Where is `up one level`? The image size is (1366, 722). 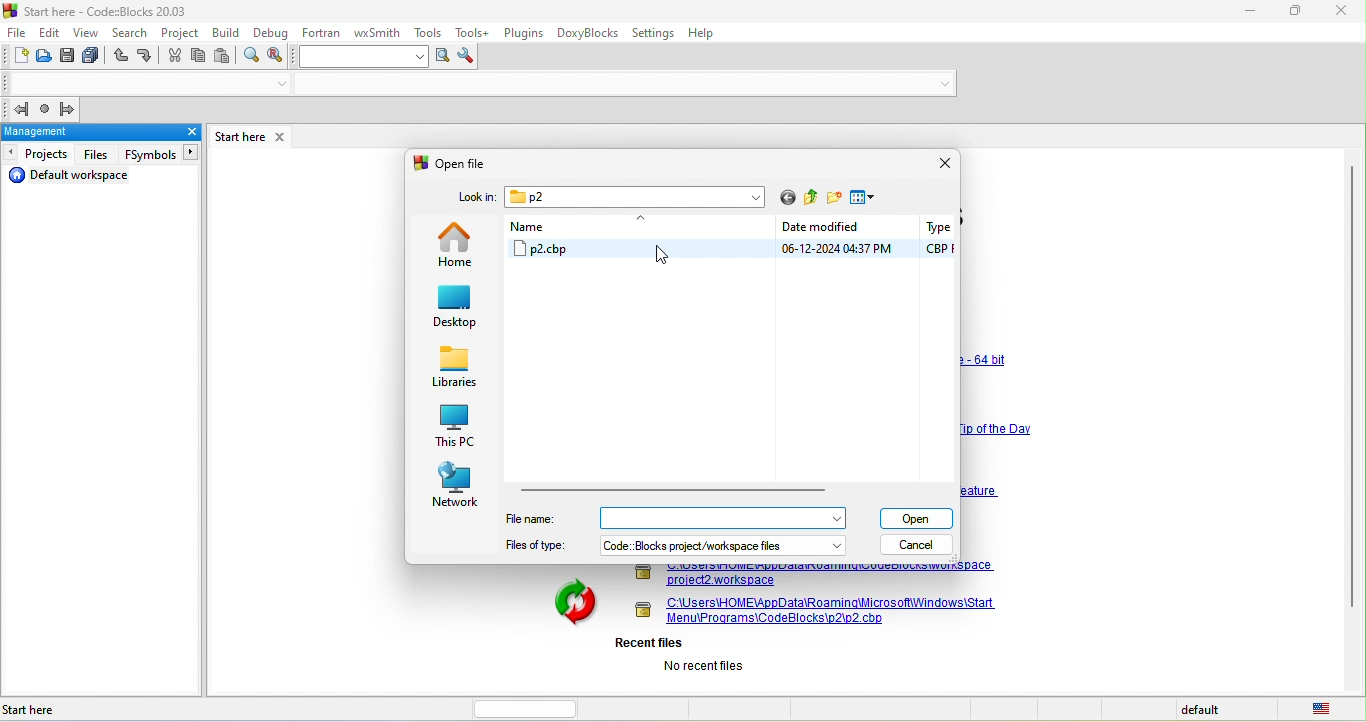 up one level is located at coordinates (810, 201).